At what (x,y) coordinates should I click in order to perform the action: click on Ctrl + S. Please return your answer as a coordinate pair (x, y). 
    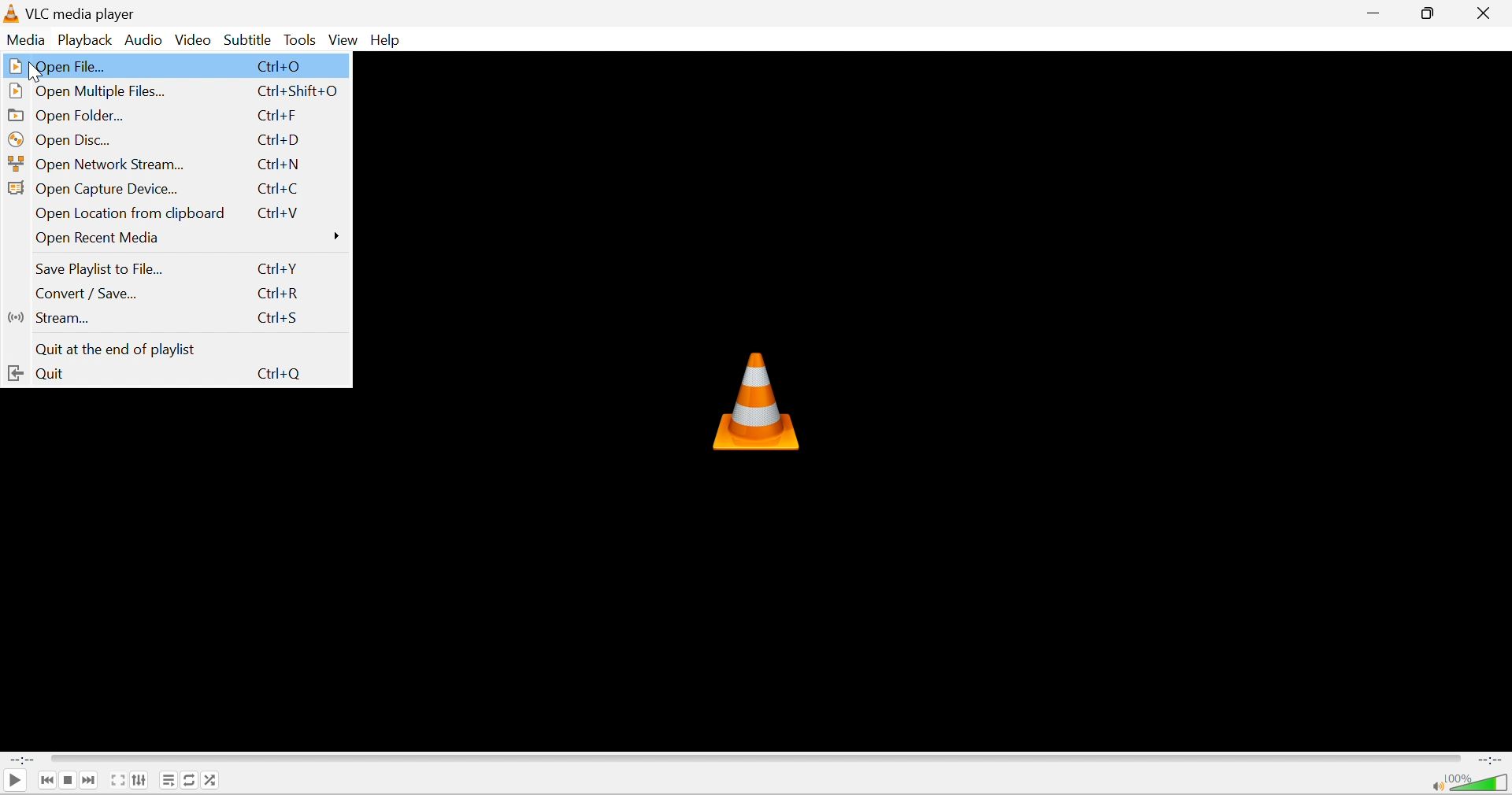
    Looking at the image, I should click on (276, 319).